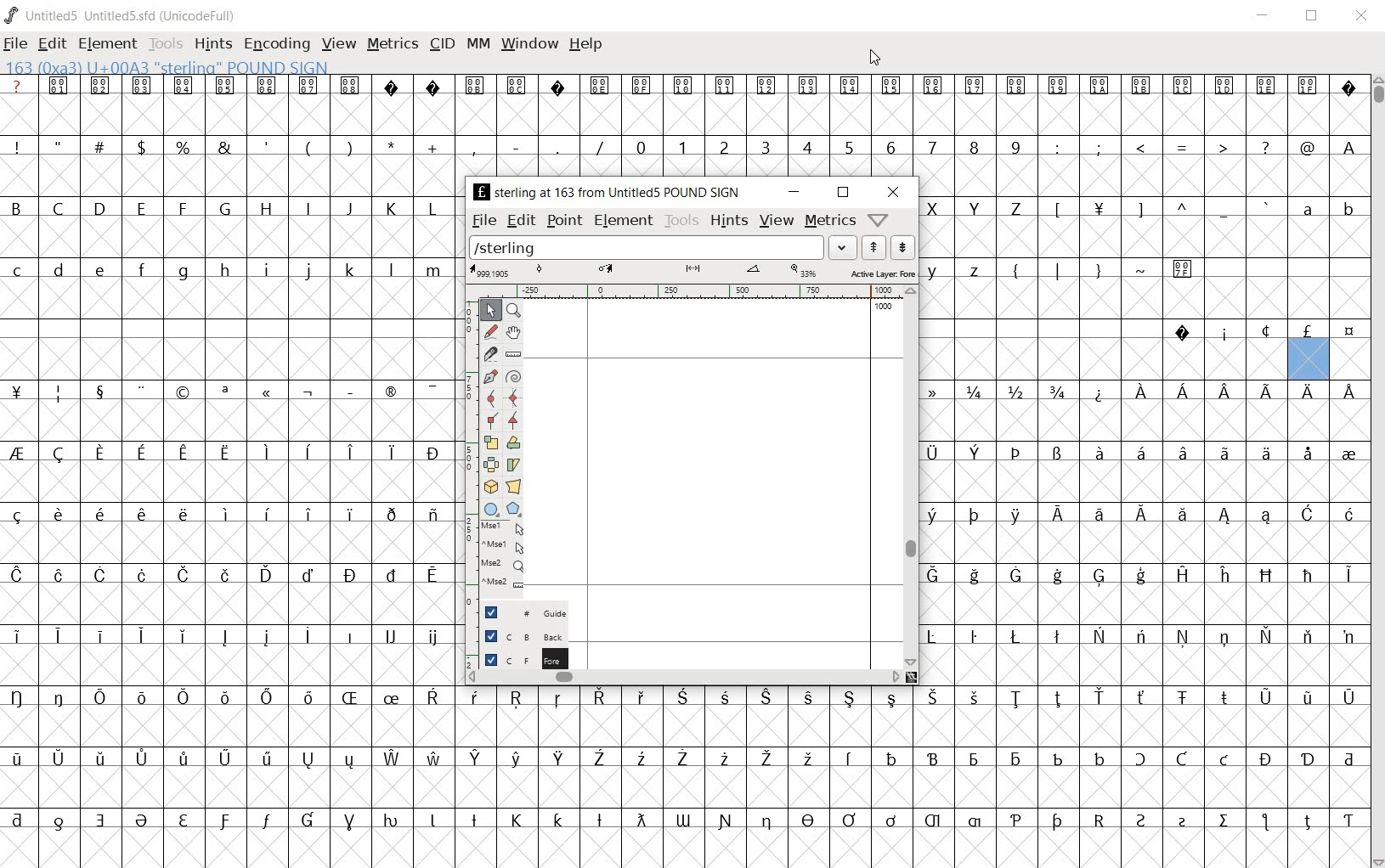 The height and width of the screenshot is (868, 1385). What do you see at coordinates (349, 515) in the screenshot?
I see `Symbol` at bounding box center [349, 515].